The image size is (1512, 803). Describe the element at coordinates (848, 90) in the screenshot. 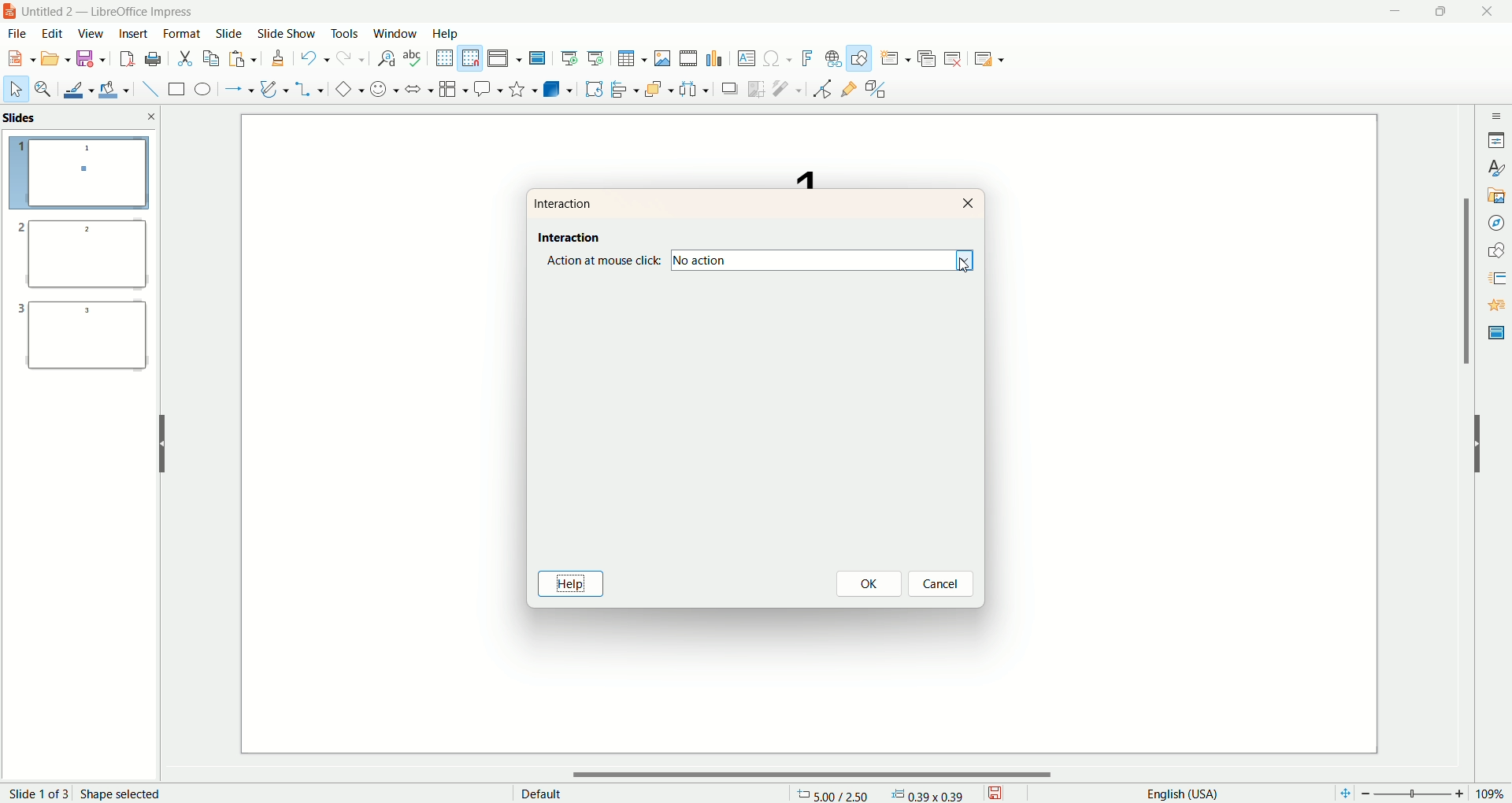

I see `gluepoint function` at that location.